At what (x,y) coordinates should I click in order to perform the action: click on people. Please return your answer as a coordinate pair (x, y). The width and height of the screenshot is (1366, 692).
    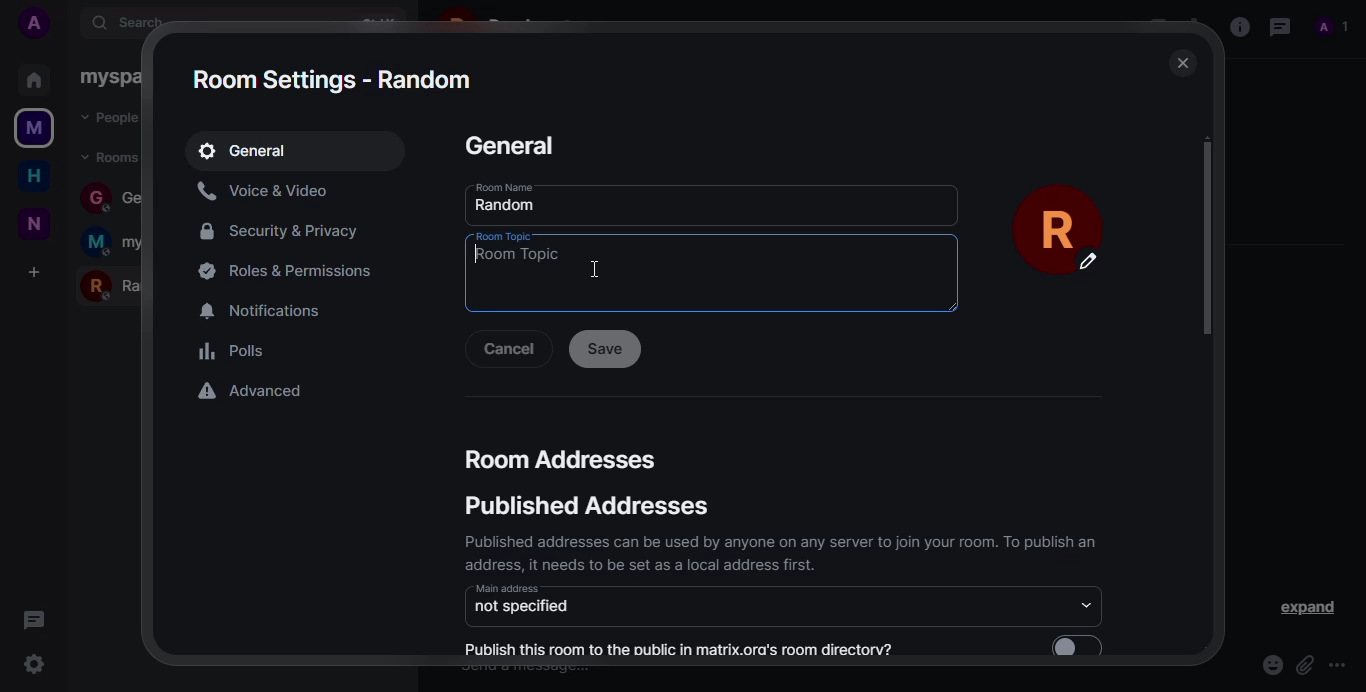
    Looking at the image, I should click on (117, 118).